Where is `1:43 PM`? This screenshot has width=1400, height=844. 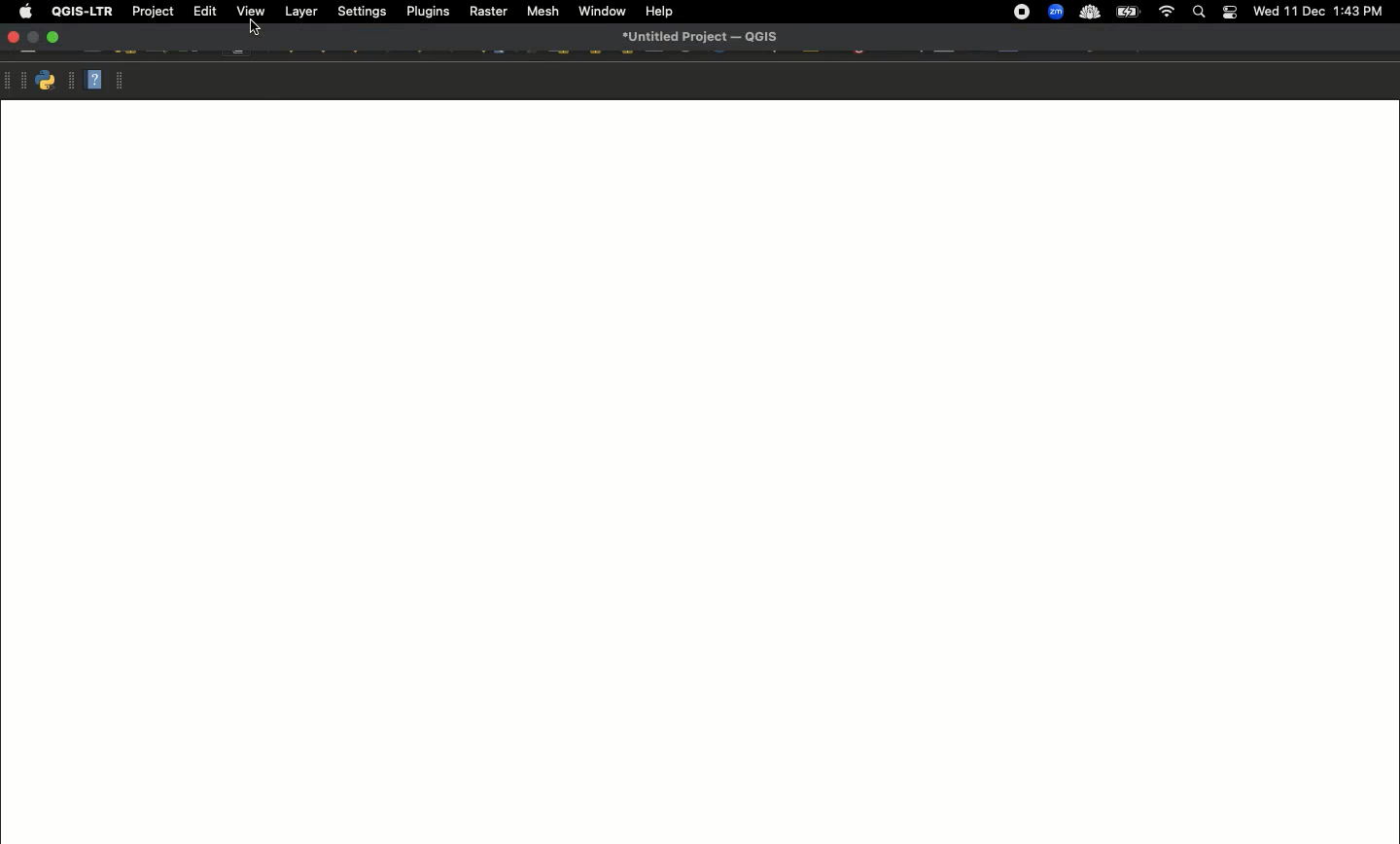 1:43 PM is located at coordinates (1361, 11).